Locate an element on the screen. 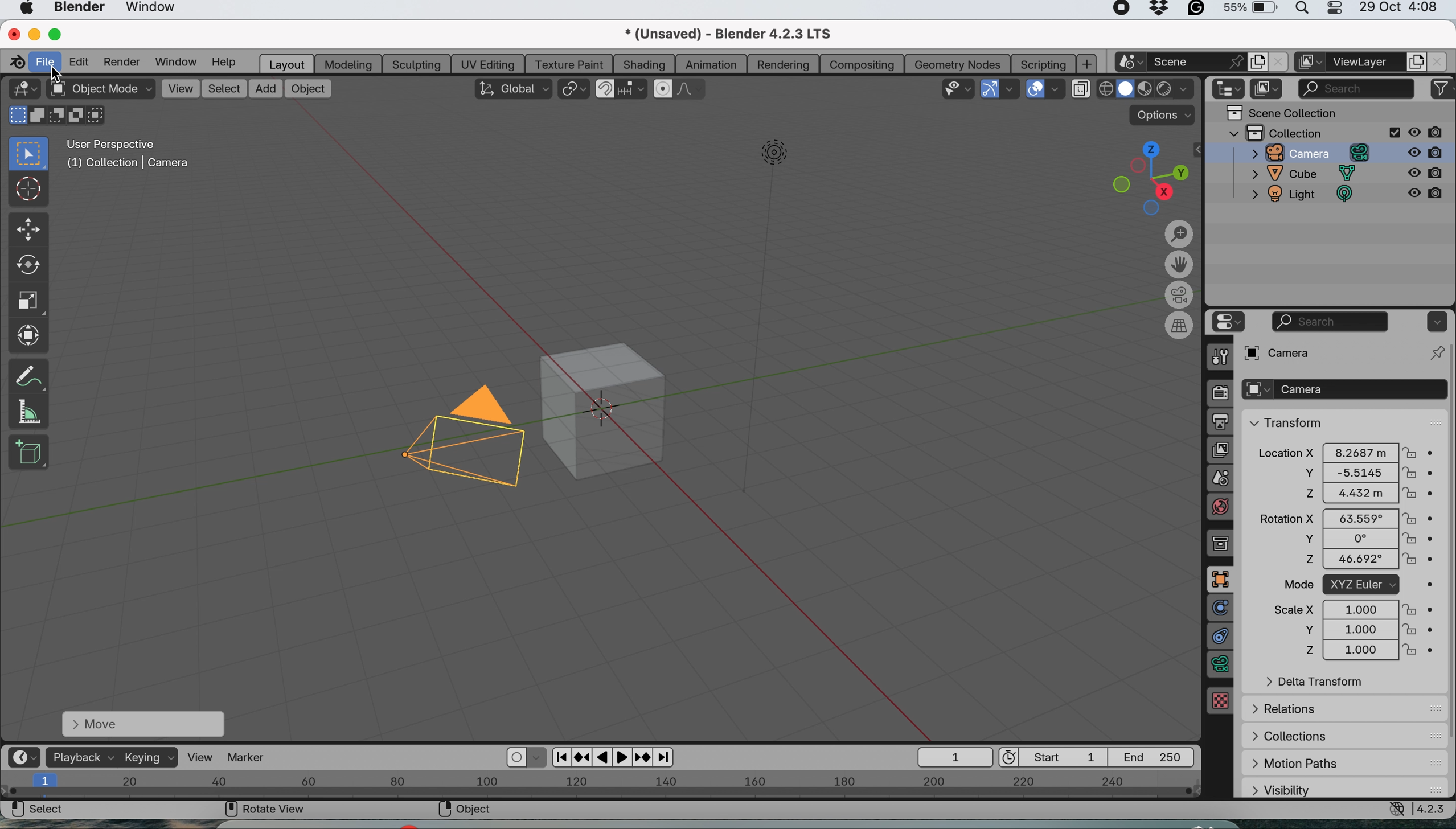 This screenshot has width=1456, height=829. scene collection is located at coordinates (1282, 113).